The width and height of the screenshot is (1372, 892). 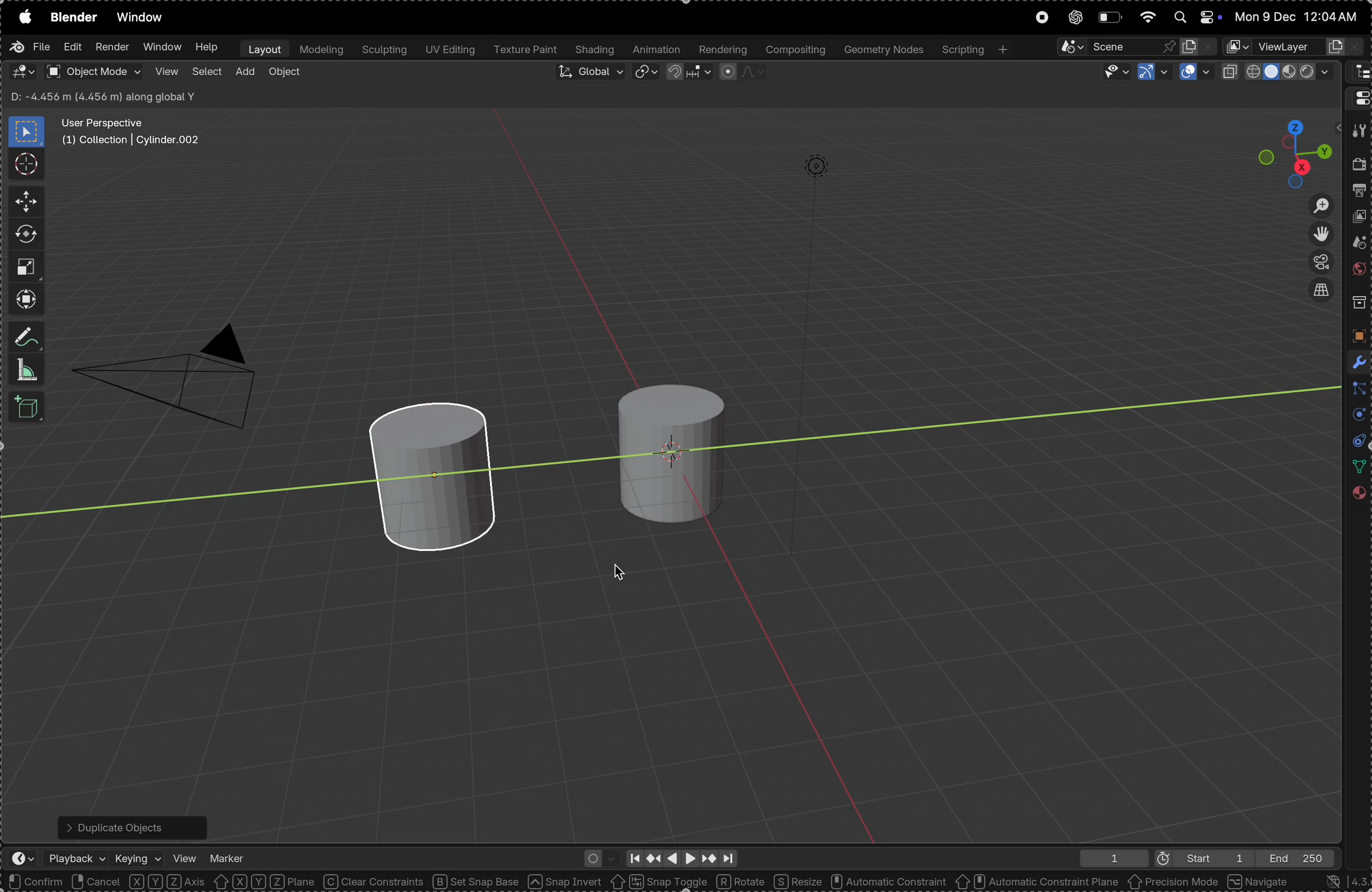 I want to click on version, so click(x=1339, y=881).